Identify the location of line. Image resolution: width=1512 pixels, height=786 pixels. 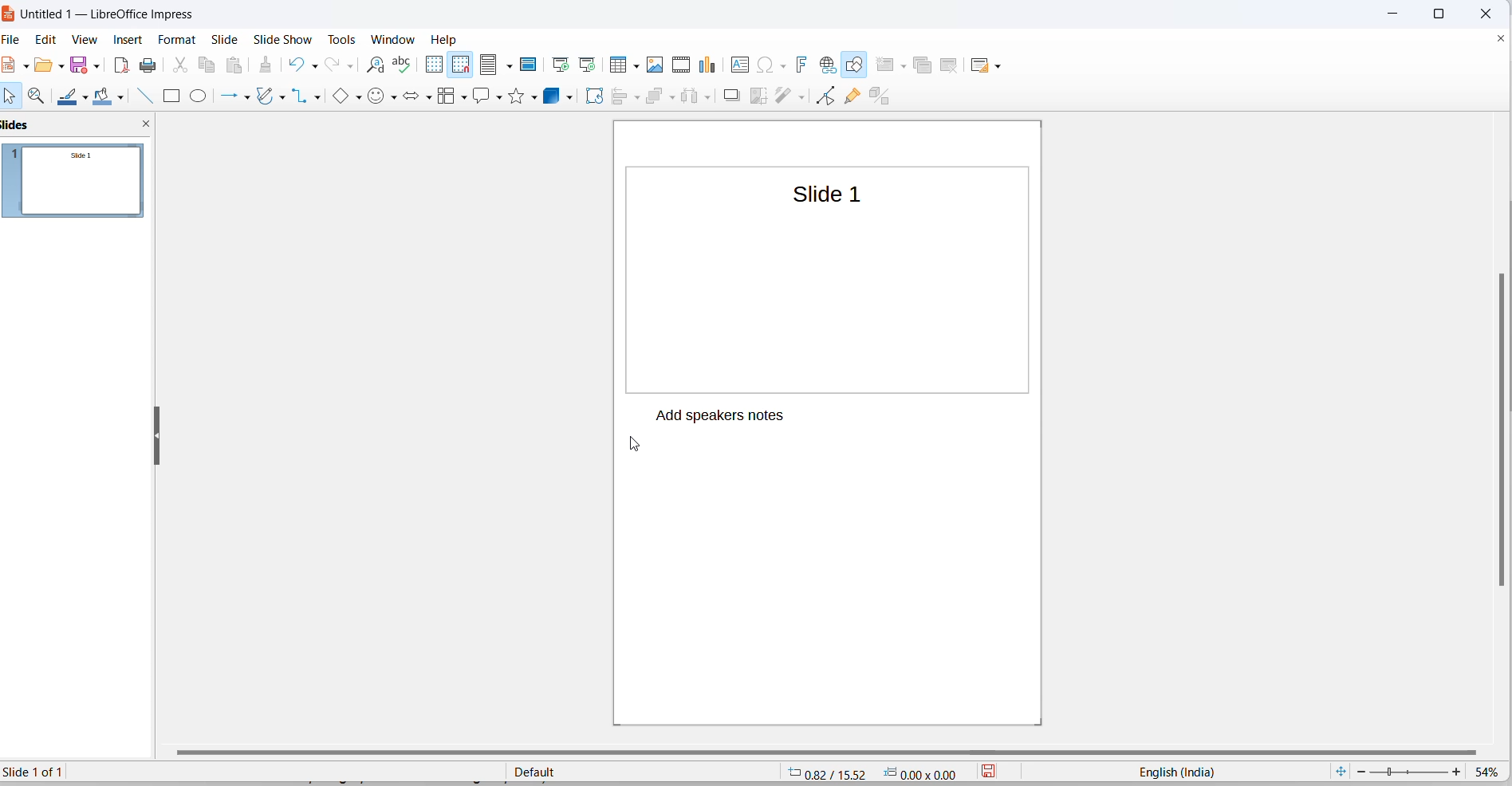
(144, 97).